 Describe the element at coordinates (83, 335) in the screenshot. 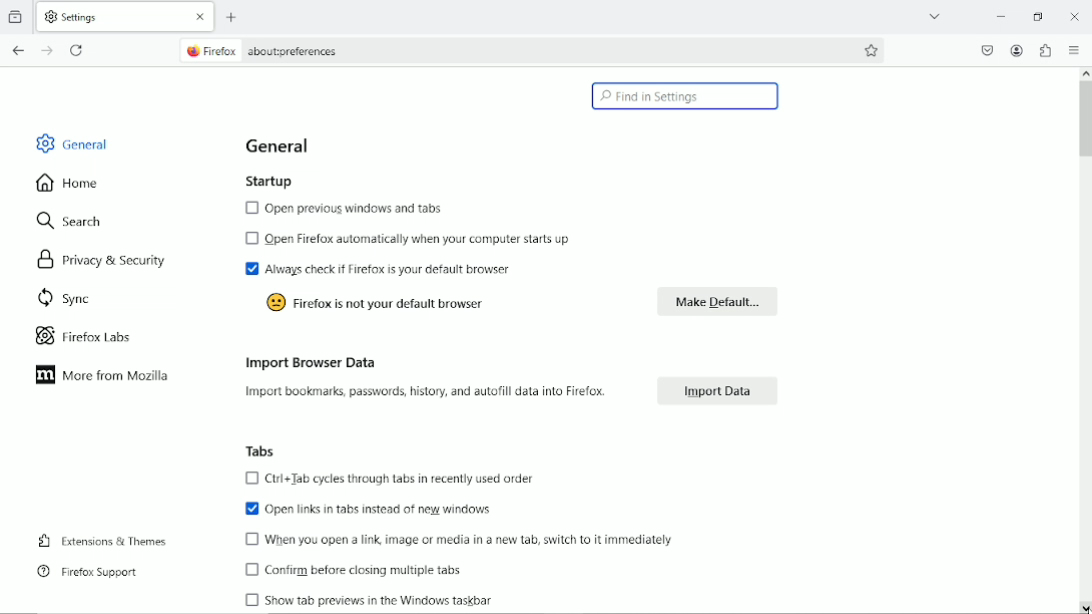

I see `Firefox labs` at that location.